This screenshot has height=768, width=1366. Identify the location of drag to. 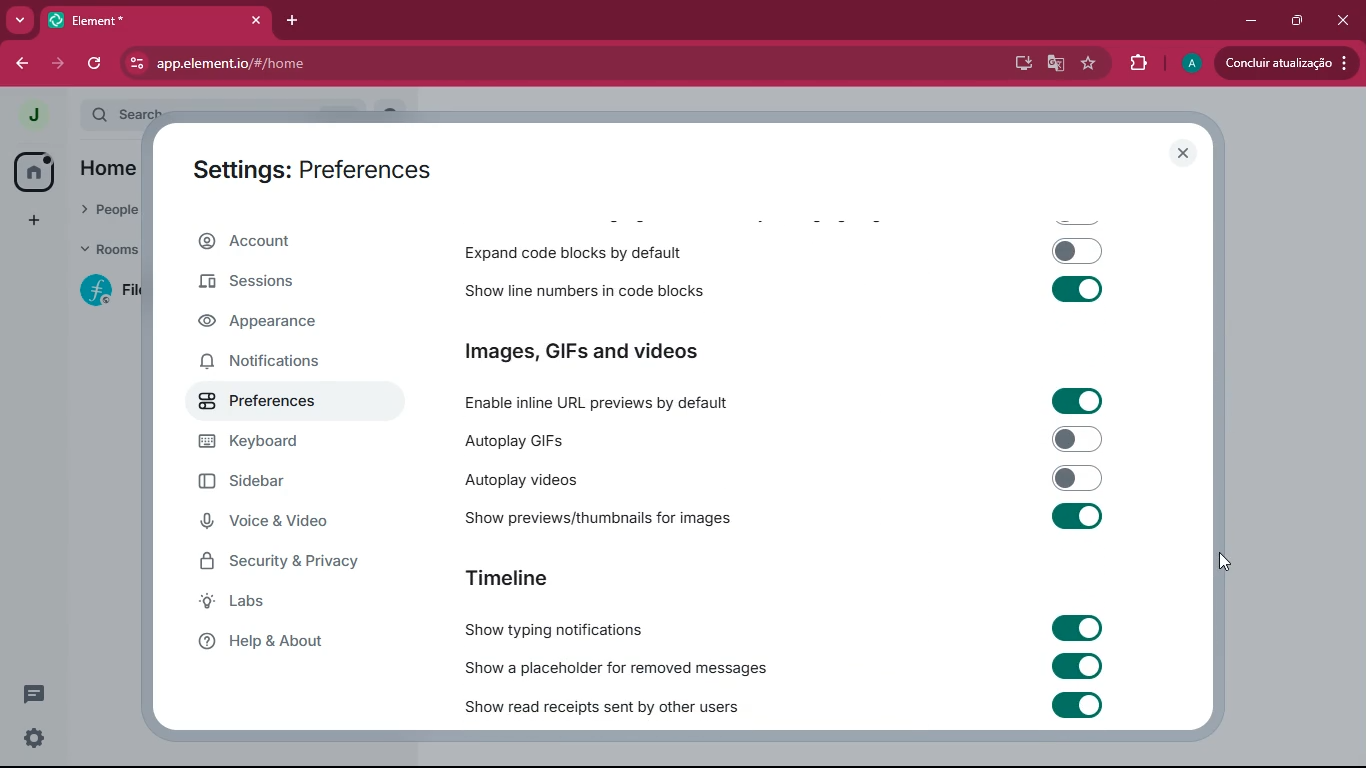
(1226, 562).